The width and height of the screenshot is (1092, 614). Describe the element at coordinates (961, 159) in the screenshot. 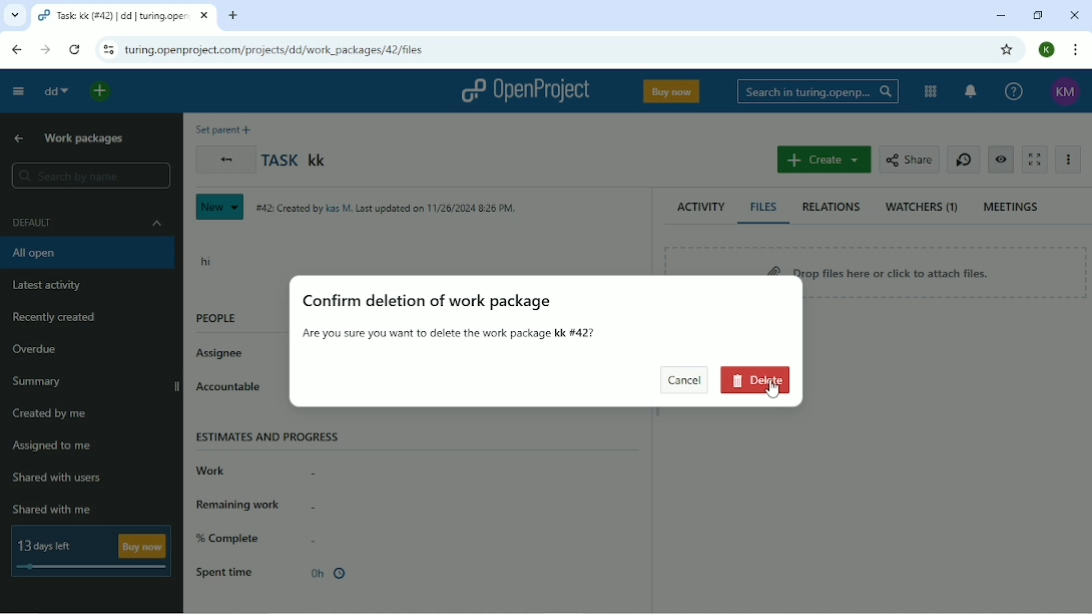

I see `Start new timer` at that location.